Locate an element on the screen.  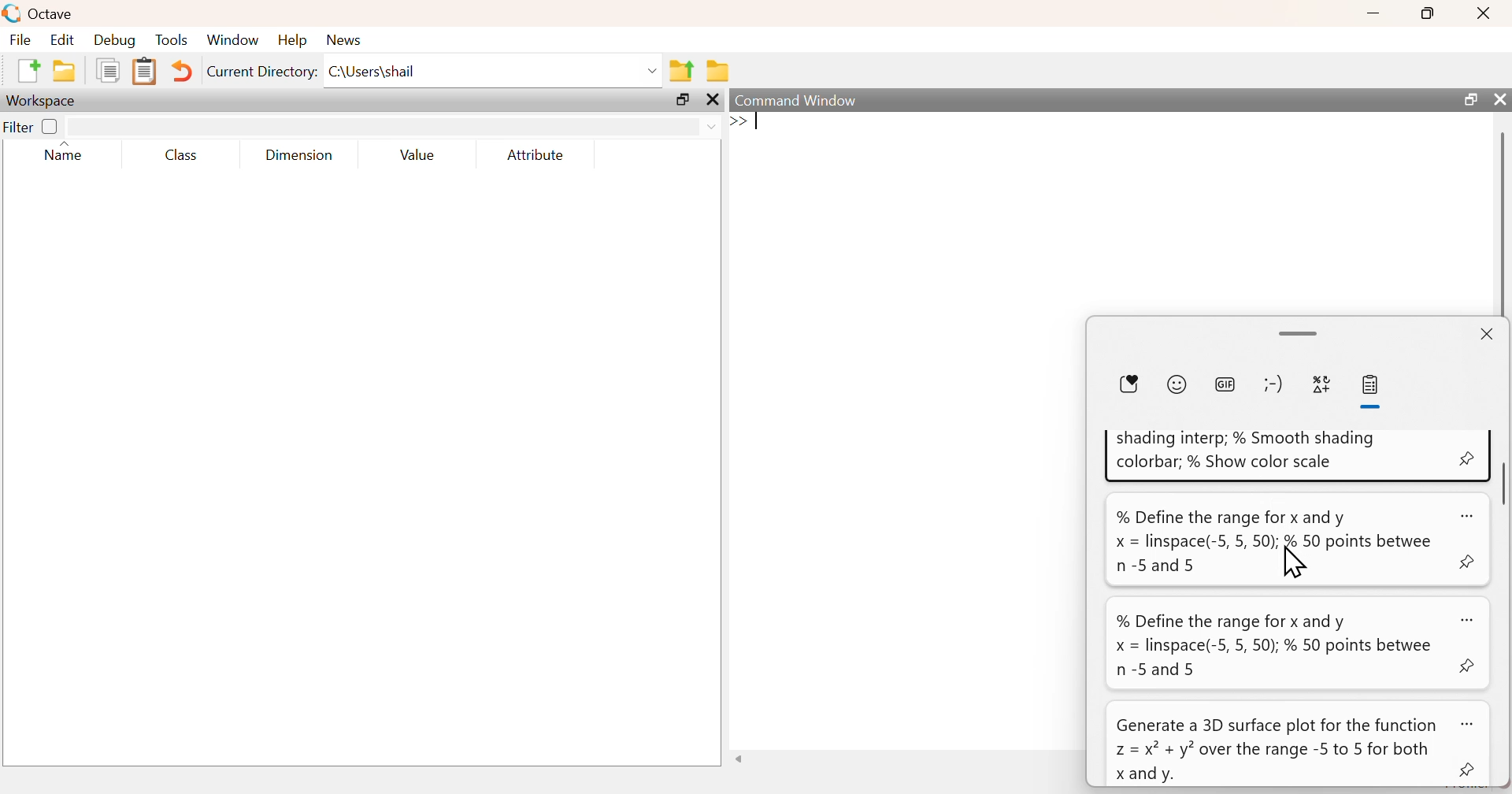
Help is located at coordinates (292, 39).